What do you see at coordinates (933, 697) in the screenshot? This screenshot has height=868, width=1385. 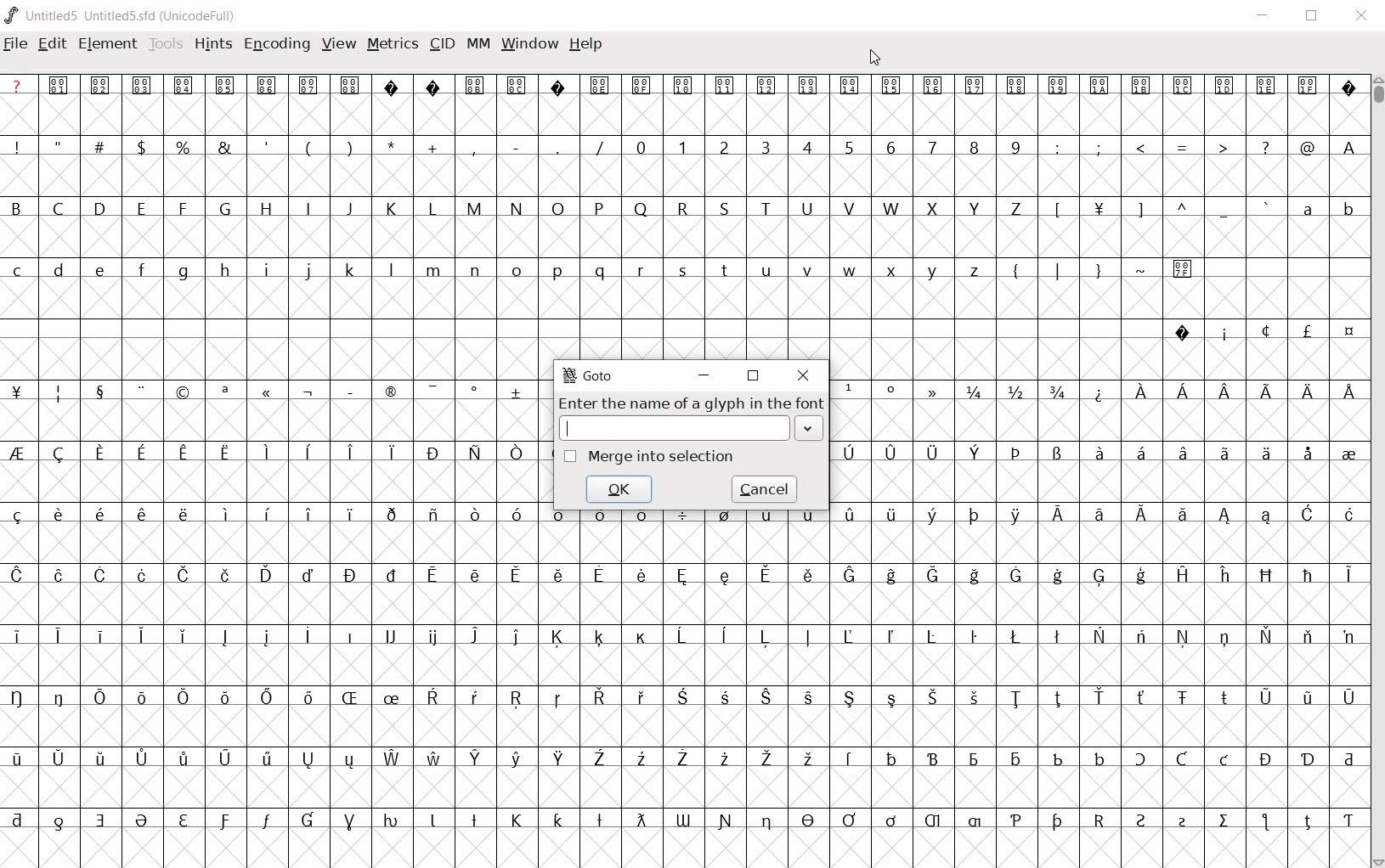 I see `` at bounding box center [933, 697].